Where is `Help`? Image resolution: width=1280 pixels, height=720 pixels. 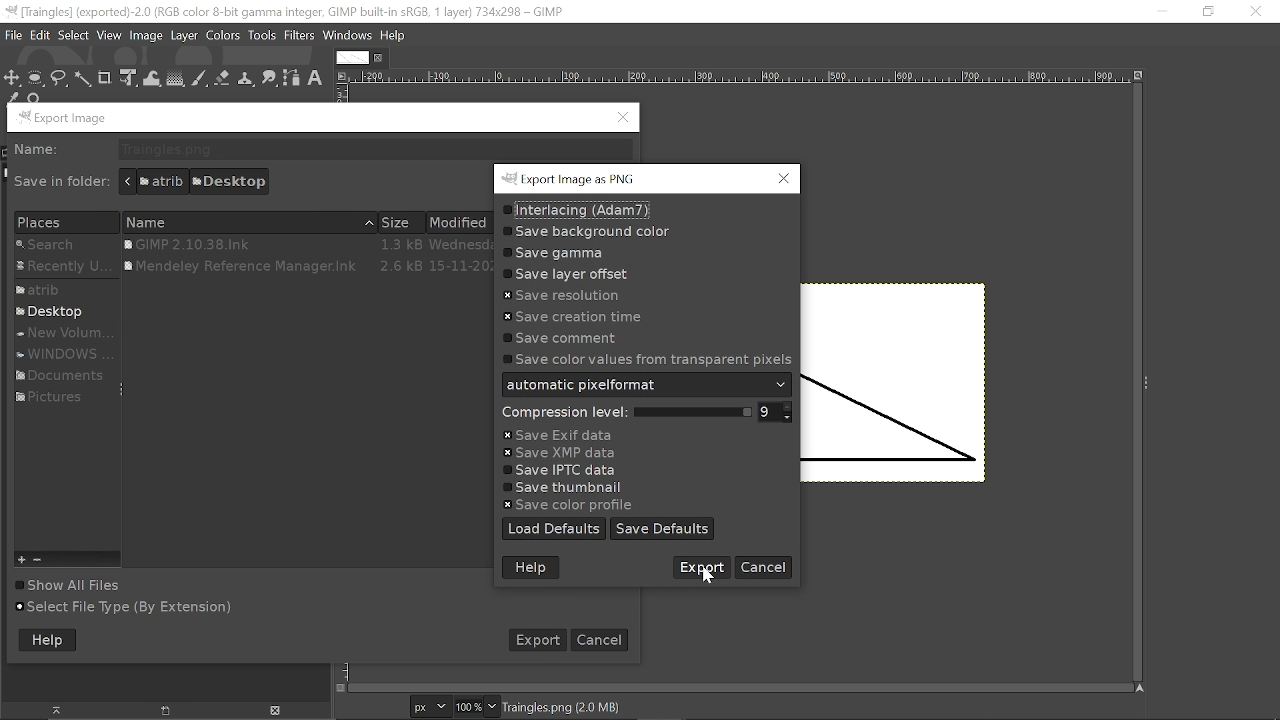 Help is located at coordinates (531, 568).